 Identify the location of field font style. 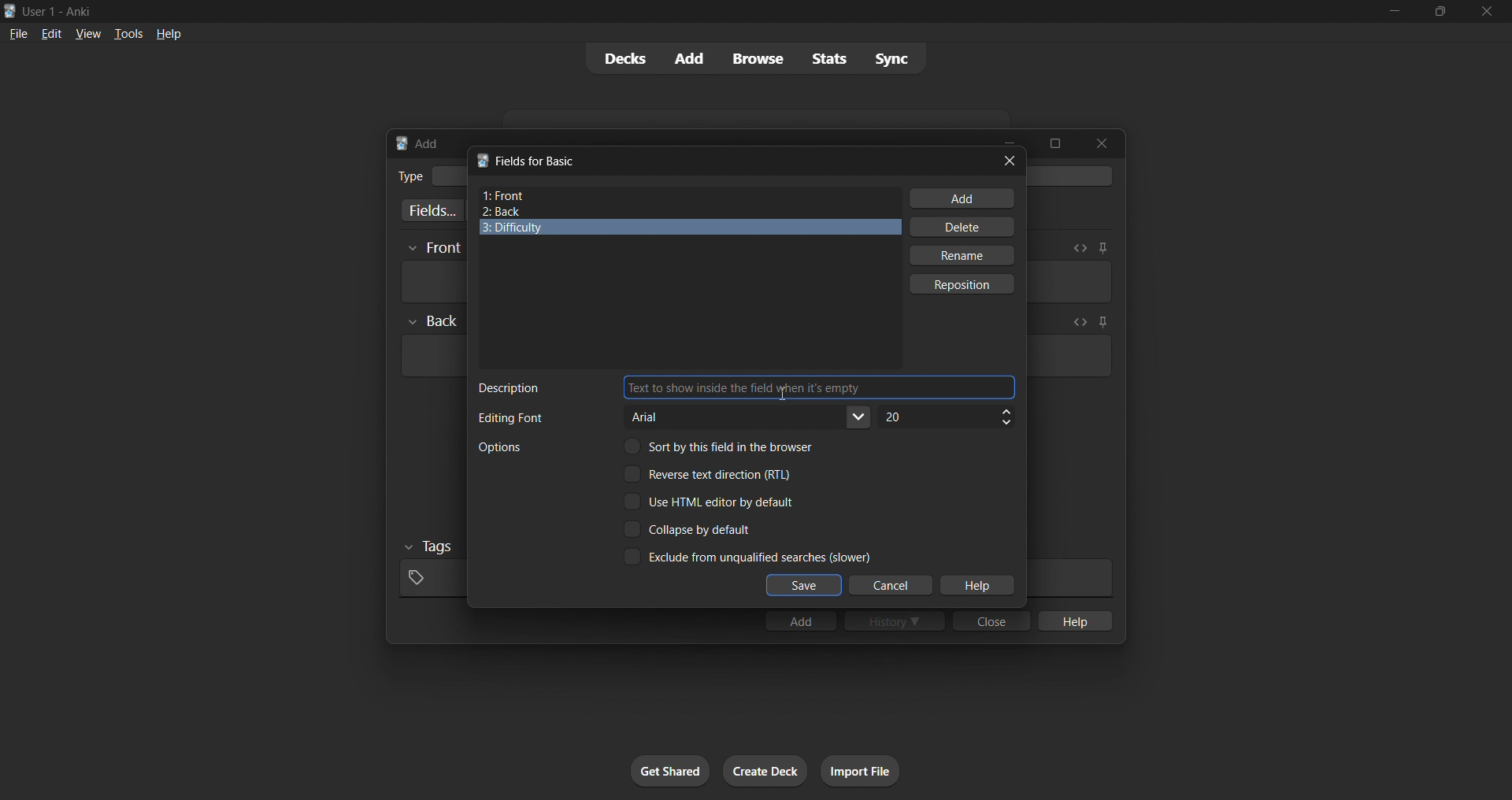
(749, 417).